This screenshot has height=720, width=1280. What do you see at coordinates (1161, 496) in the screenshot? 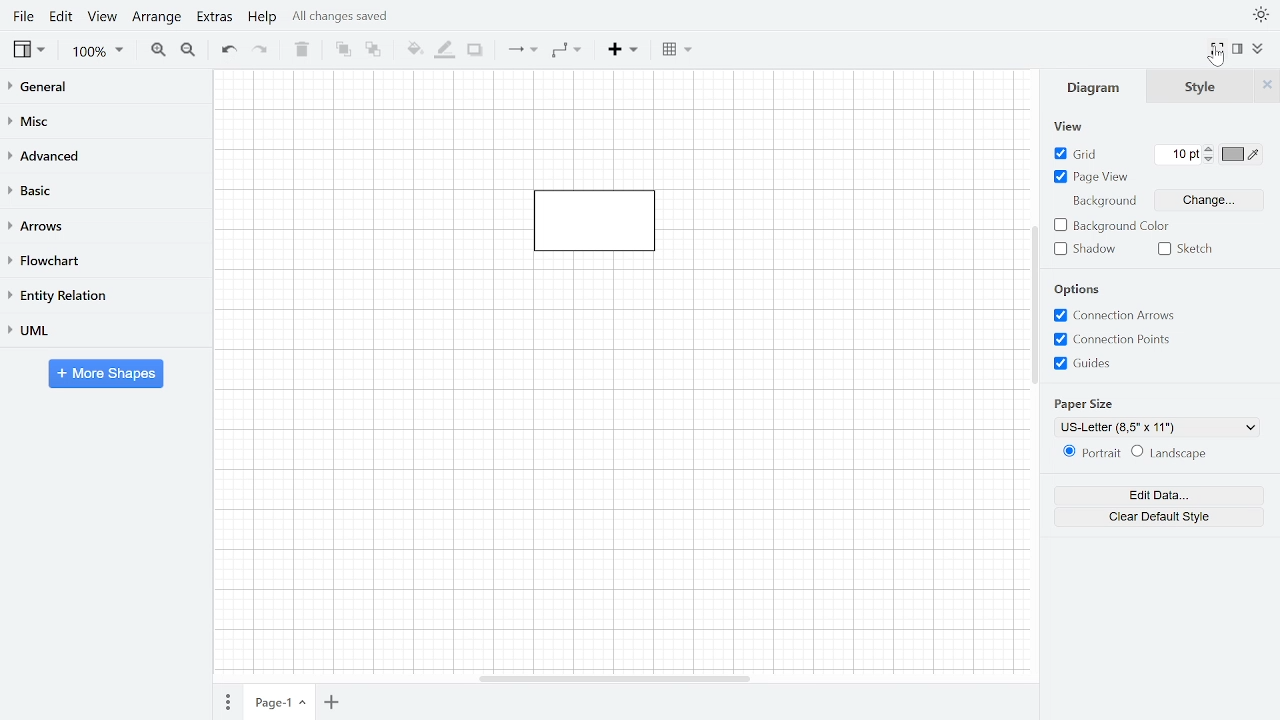
I see `EDit data` at bounding box center [1161, 496].